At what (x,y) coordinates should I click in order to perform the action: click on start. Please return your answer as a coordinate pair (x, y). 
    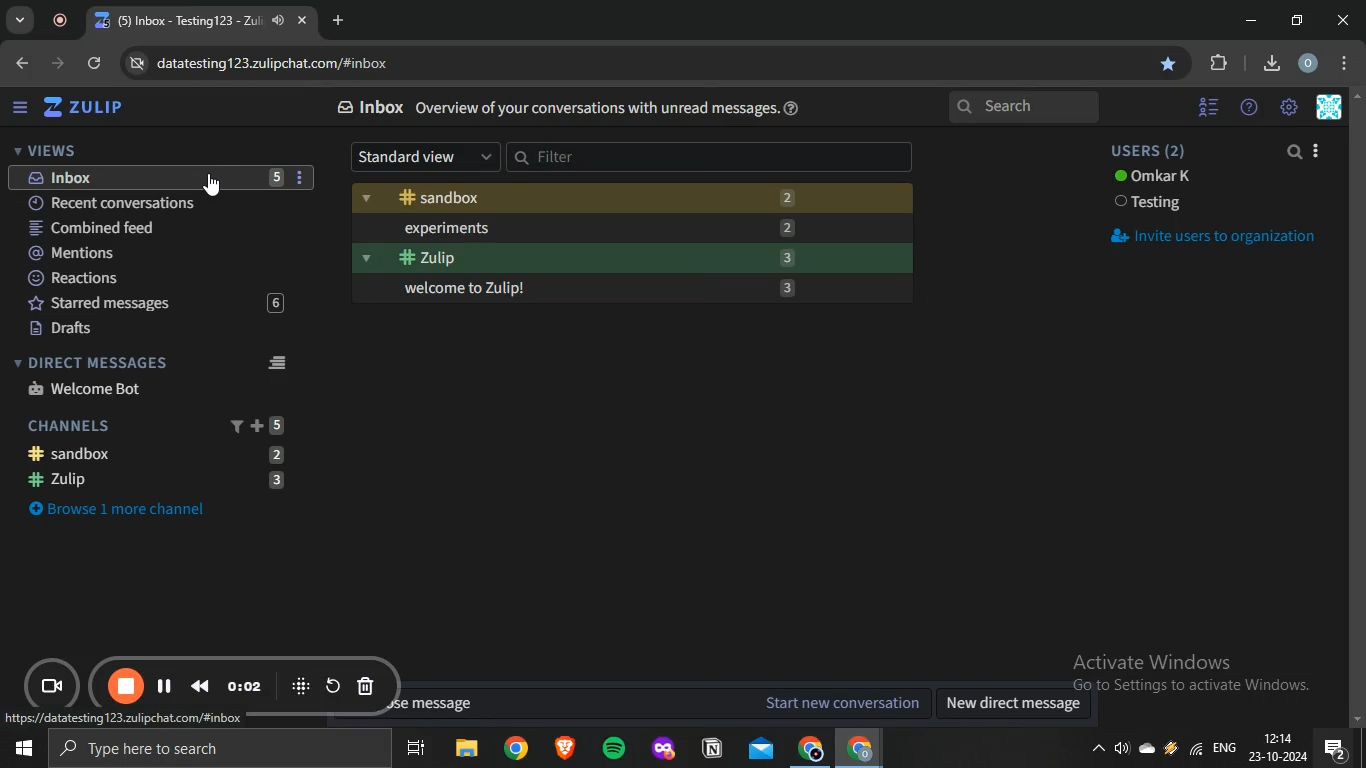
    Looking at the image, I should click on (20, 751).